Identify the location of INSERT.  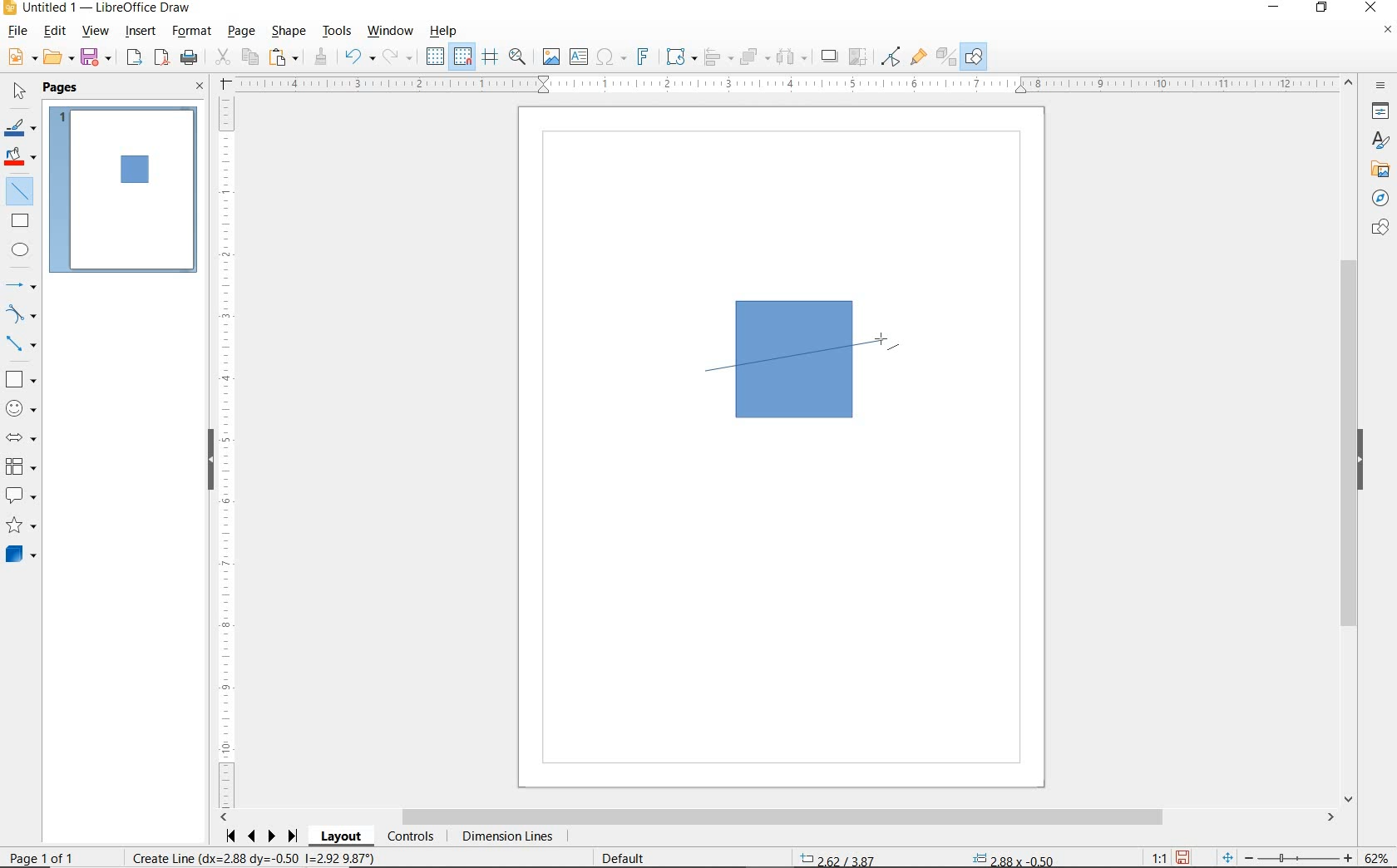
(141, 32).